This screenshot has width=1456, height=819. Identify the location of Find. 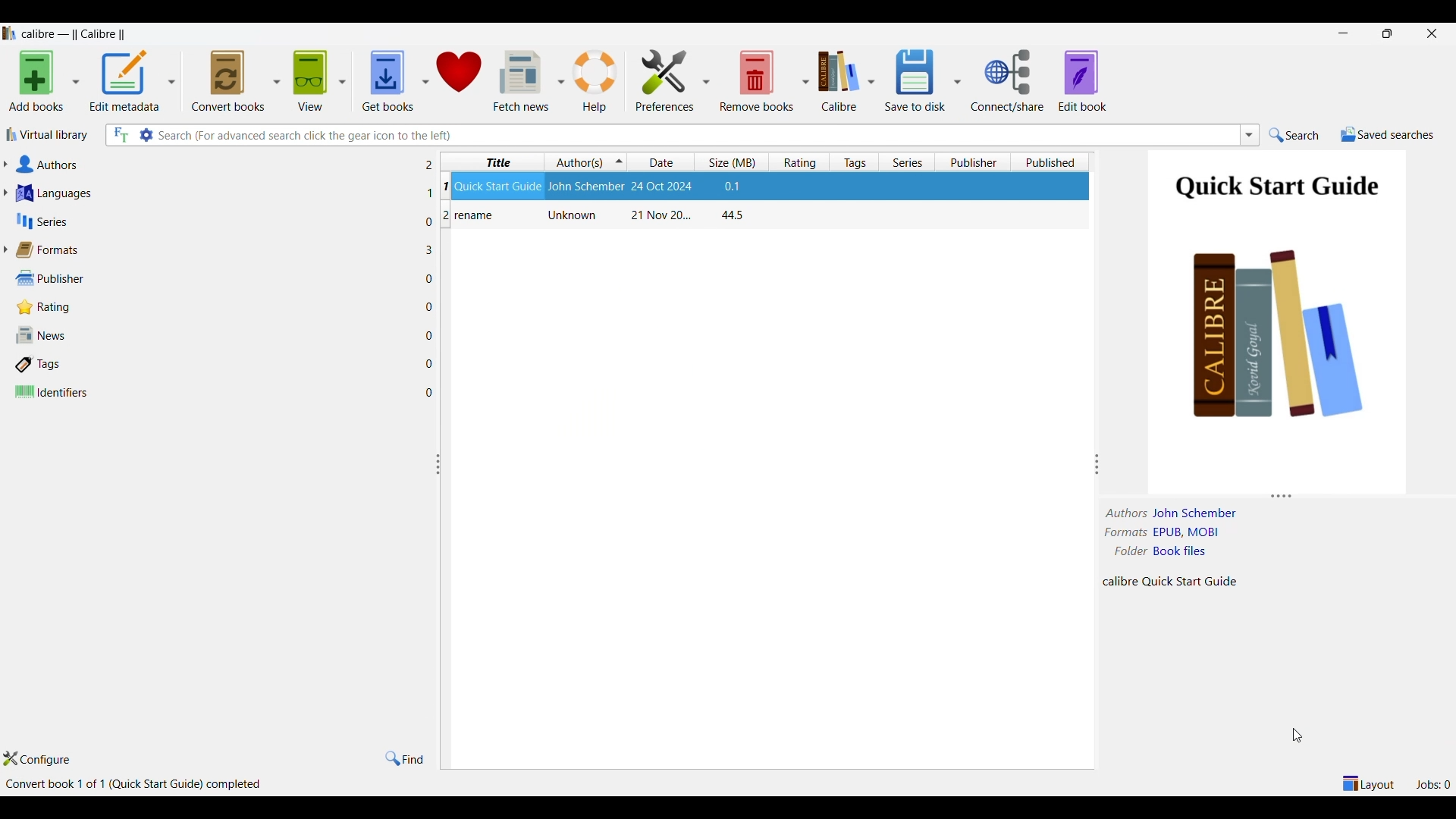
(406, 758).